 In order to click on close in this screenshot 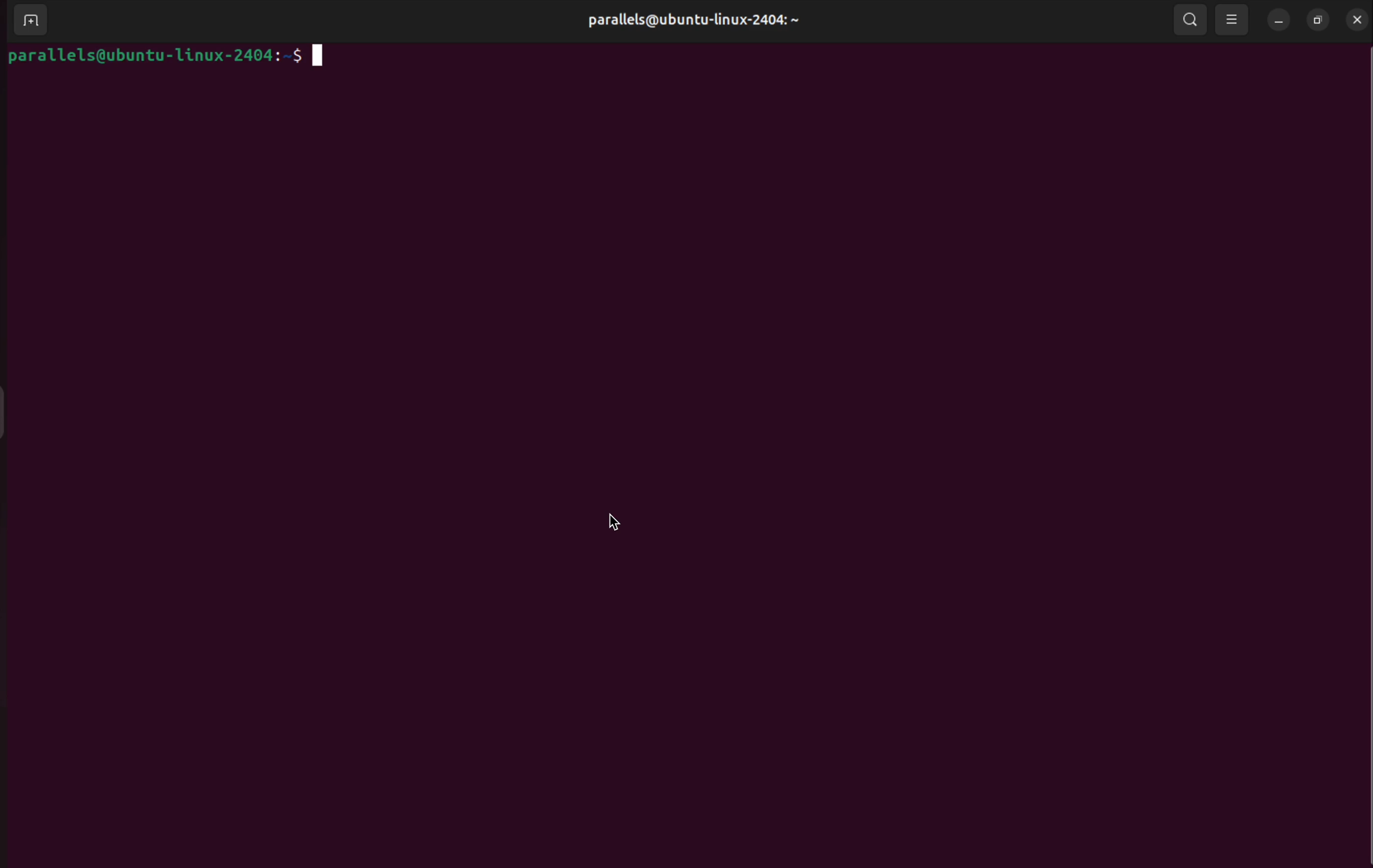, I will do `click(1358, 19)`.